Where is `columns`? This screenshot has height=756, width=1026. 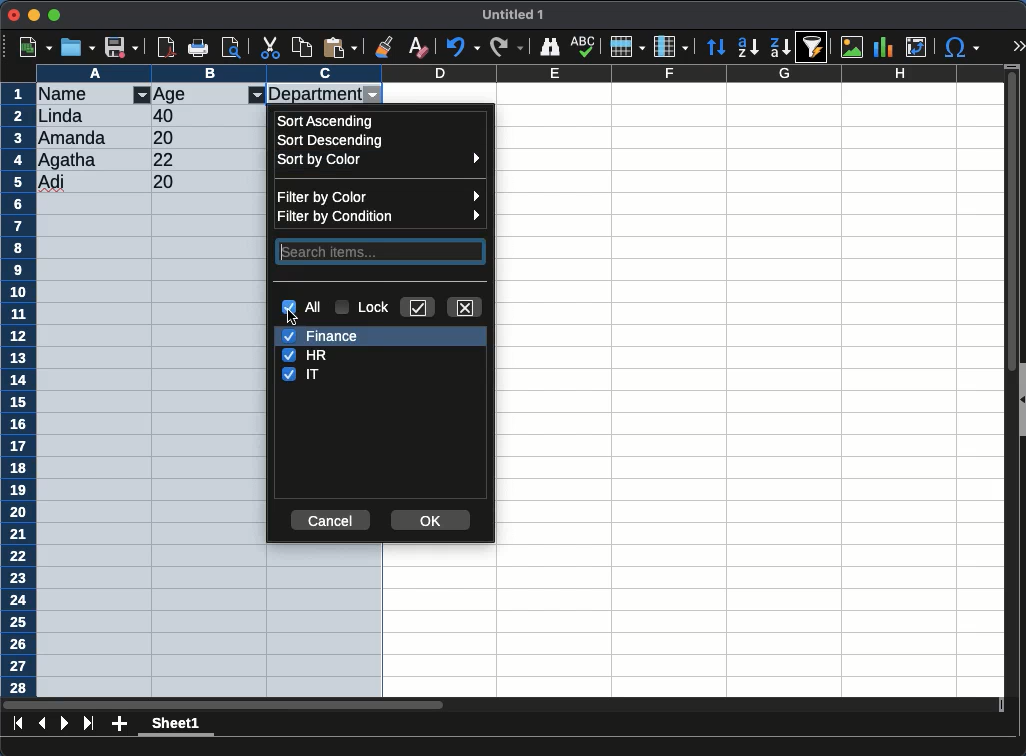
columns is located at coordinates (520, 73).